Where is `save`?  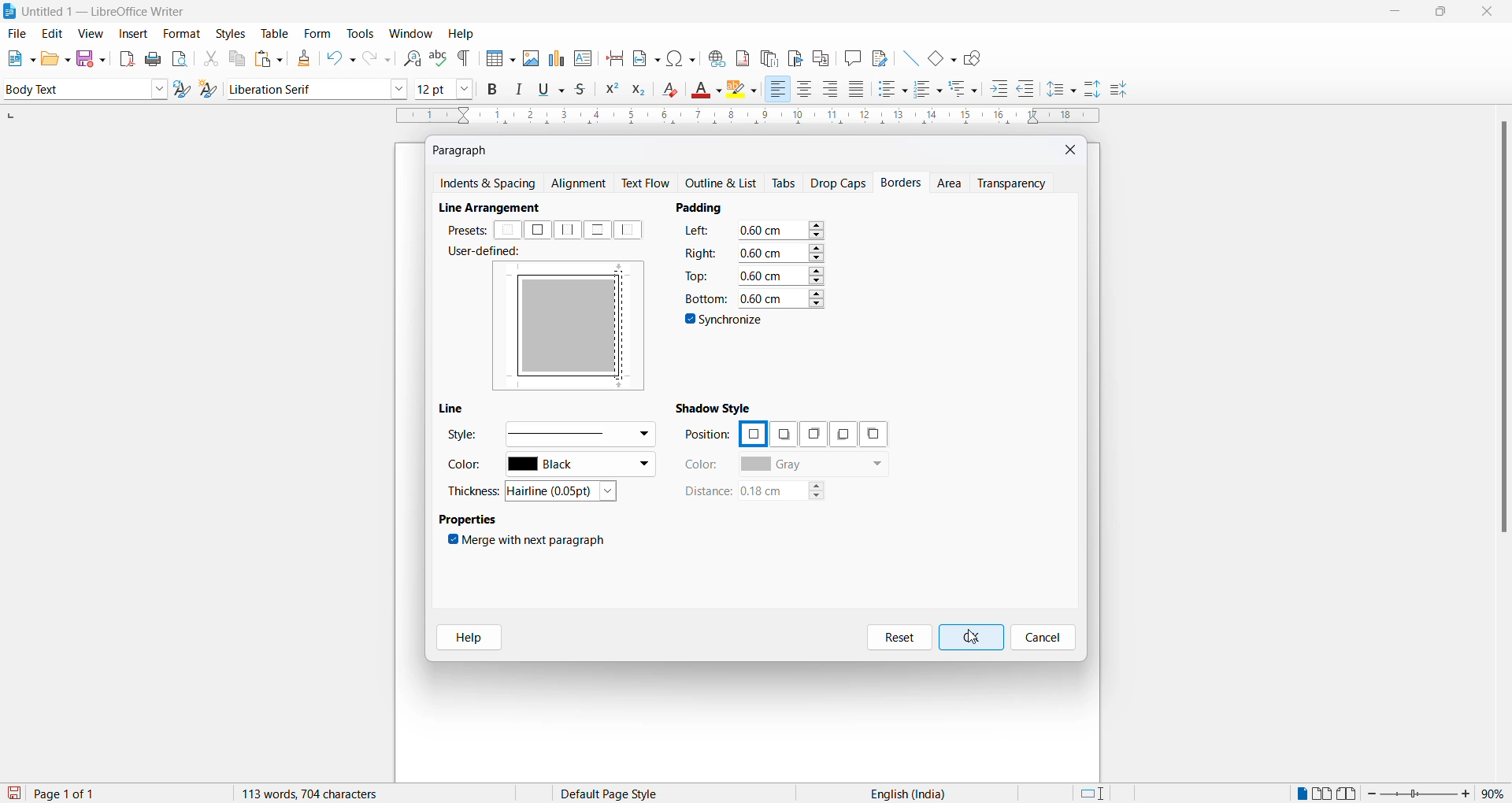 save is located at coordinates (15, 794).